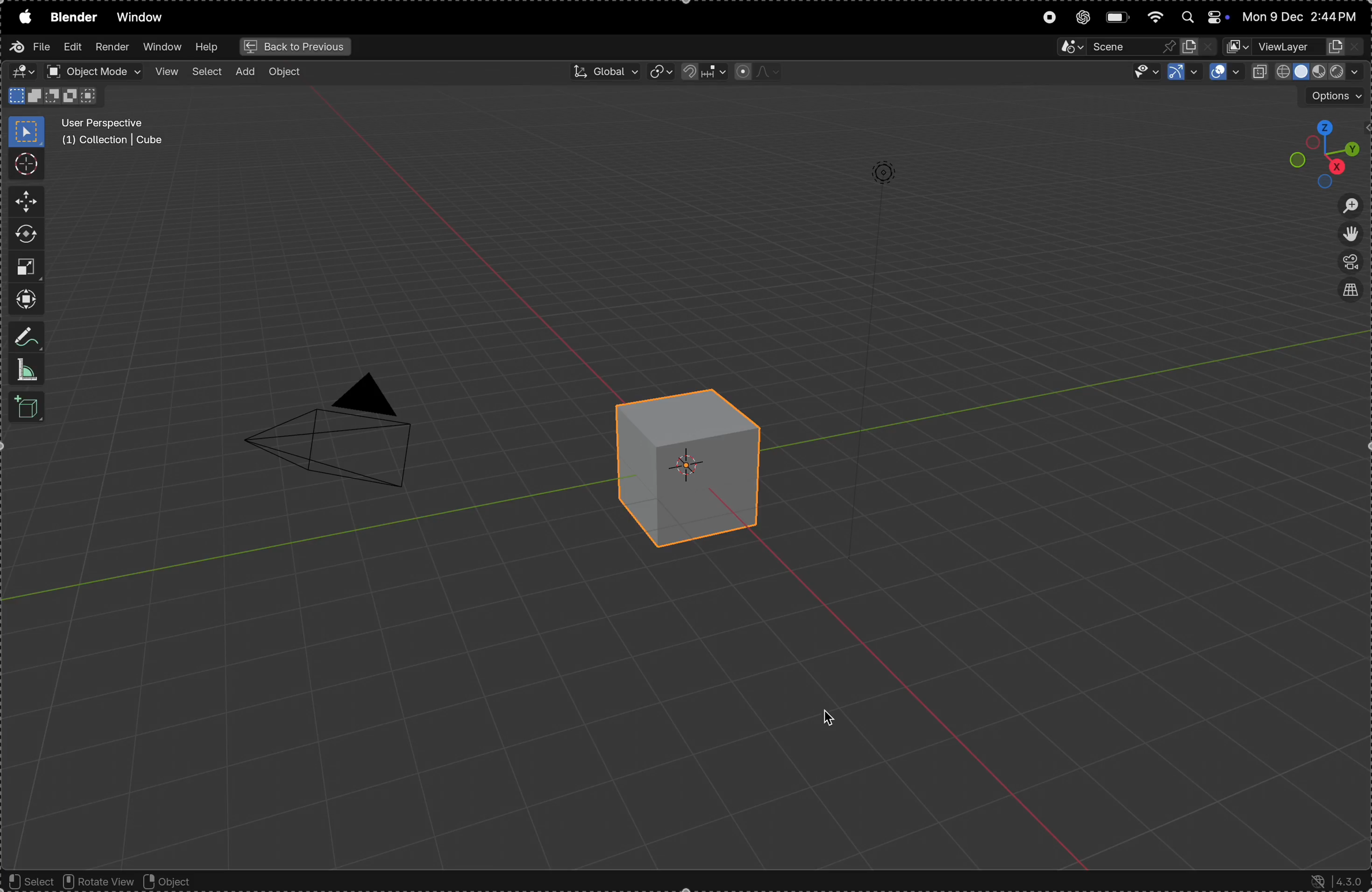 The width and height of the screenshot is (1372, 892). I want to click on apple widgets, so click(1201, 18).